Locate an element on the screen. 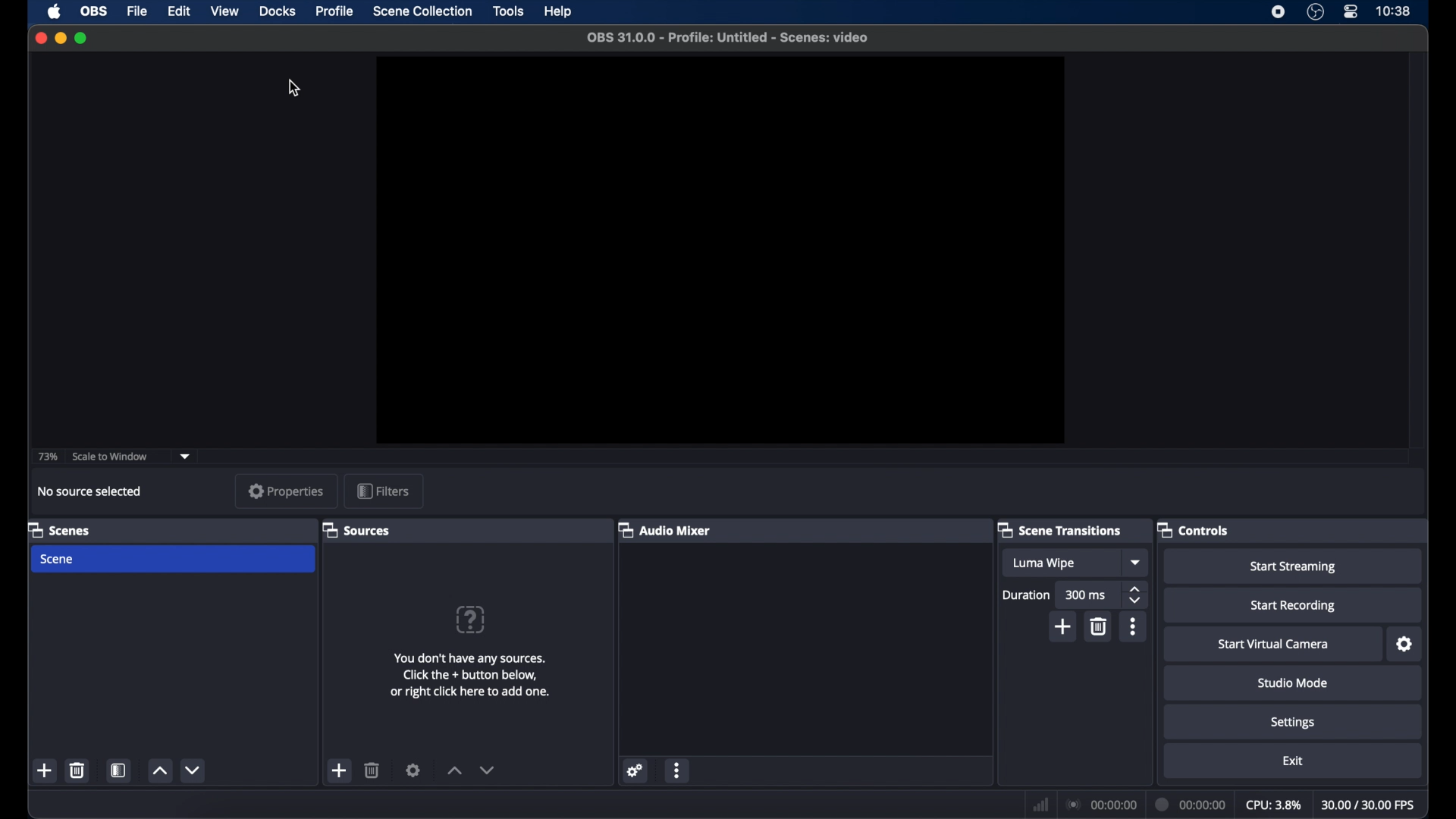 This screenshot has width=1456, height=819. dropdown is located at coordinates (1137, 562).